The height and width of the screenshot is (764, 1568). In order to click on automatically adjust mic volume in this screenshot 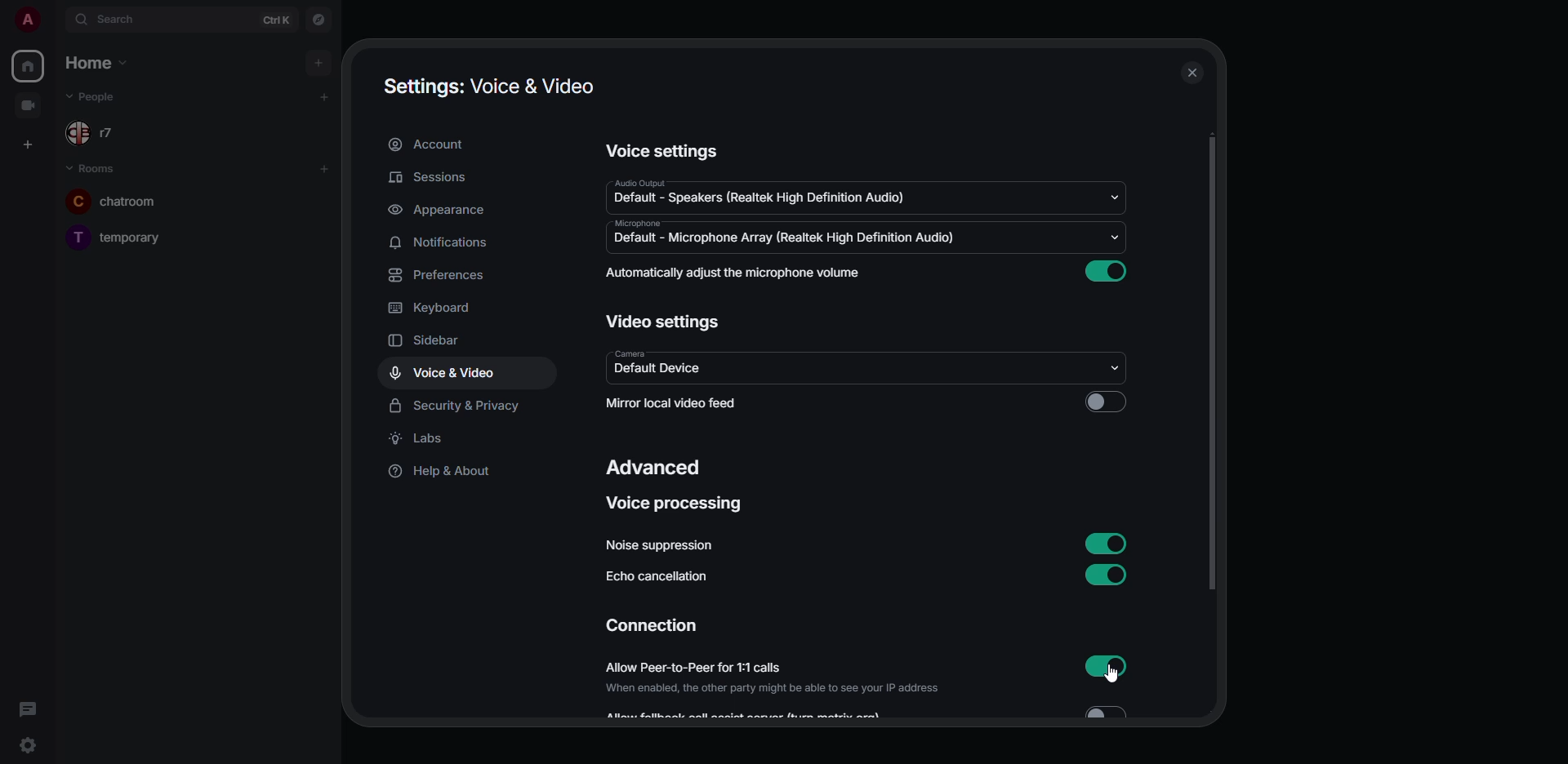, I will do `click(738, 274)`.